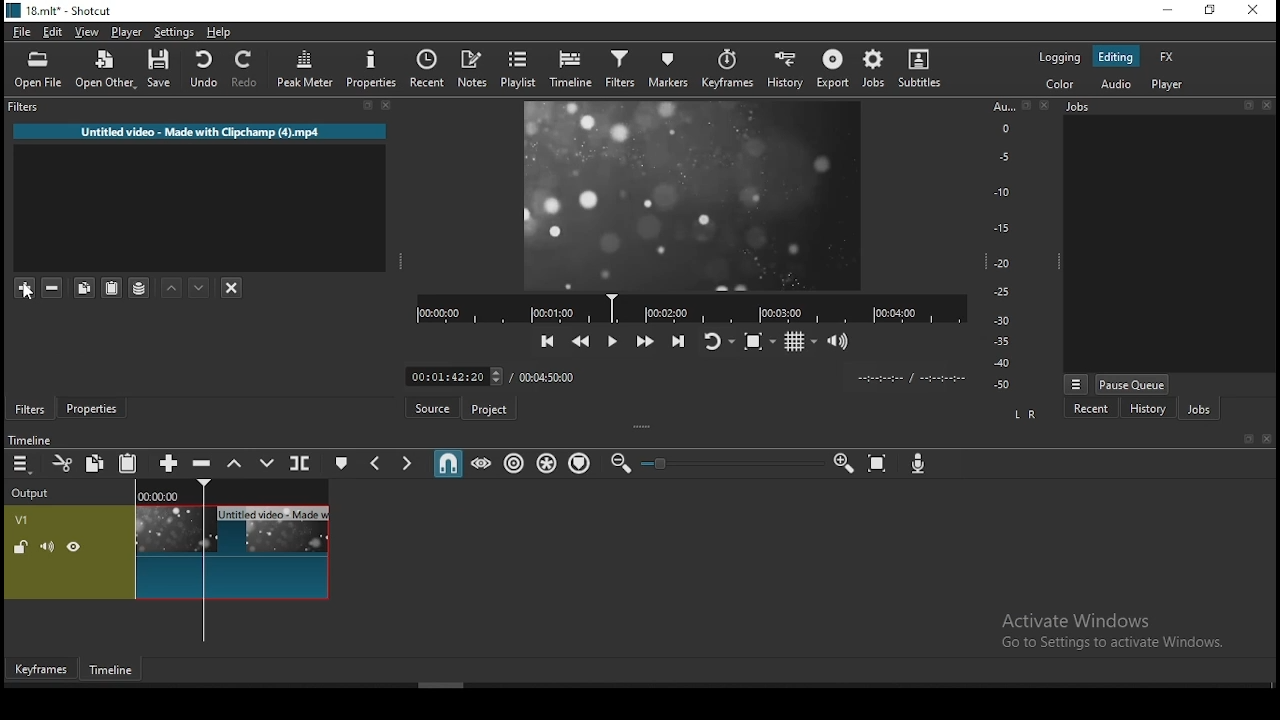 This screenshot has height=720, width=1280. I want to click on history, so click(788, 67).